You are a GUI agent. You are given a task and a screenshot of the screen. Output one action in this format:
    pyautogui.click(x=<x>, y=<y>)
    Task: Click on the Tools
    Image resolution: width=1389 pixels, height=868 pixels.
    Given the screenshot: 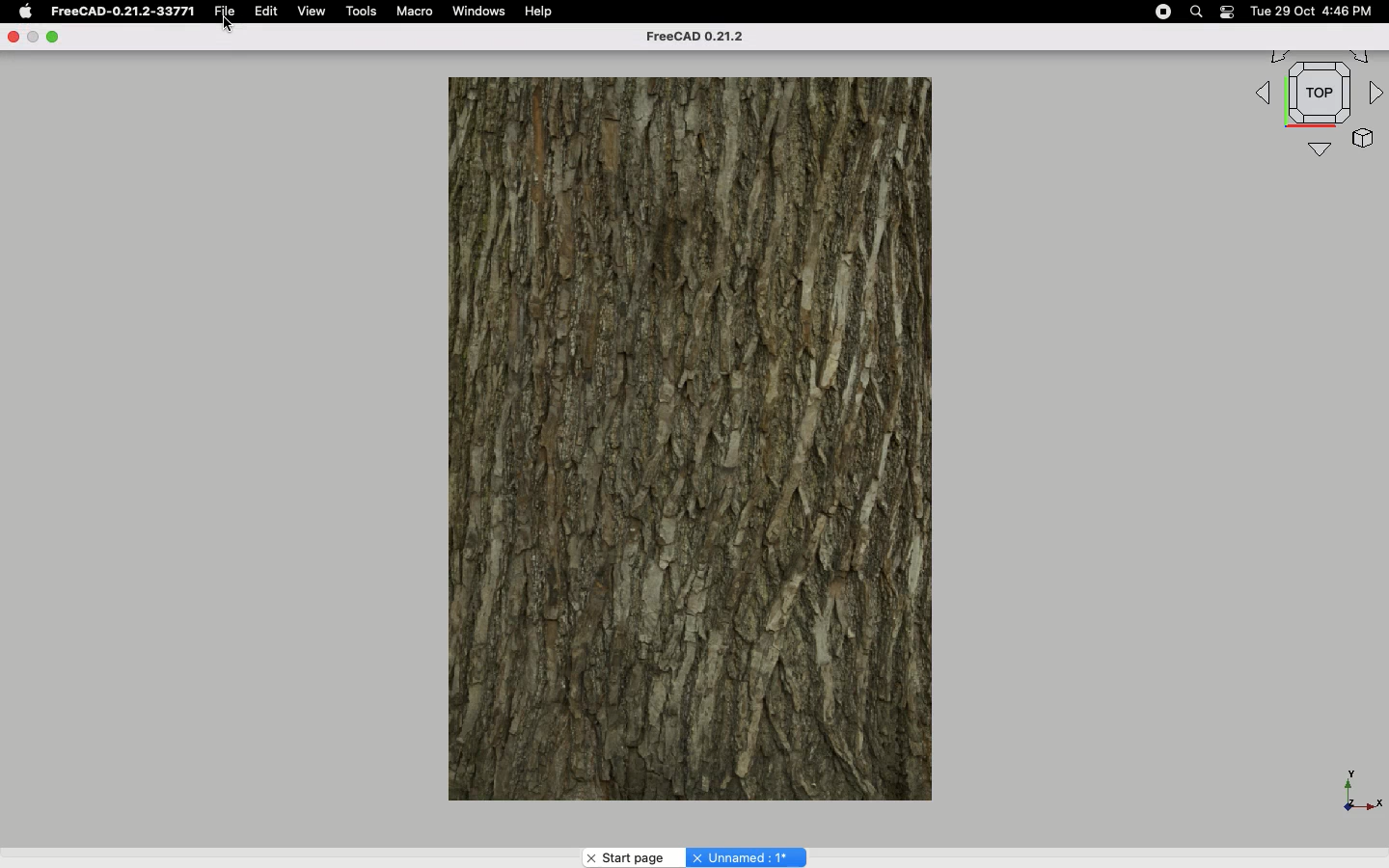 What is the action you would take?
    pyautogui.click(x=364, y=12)
    